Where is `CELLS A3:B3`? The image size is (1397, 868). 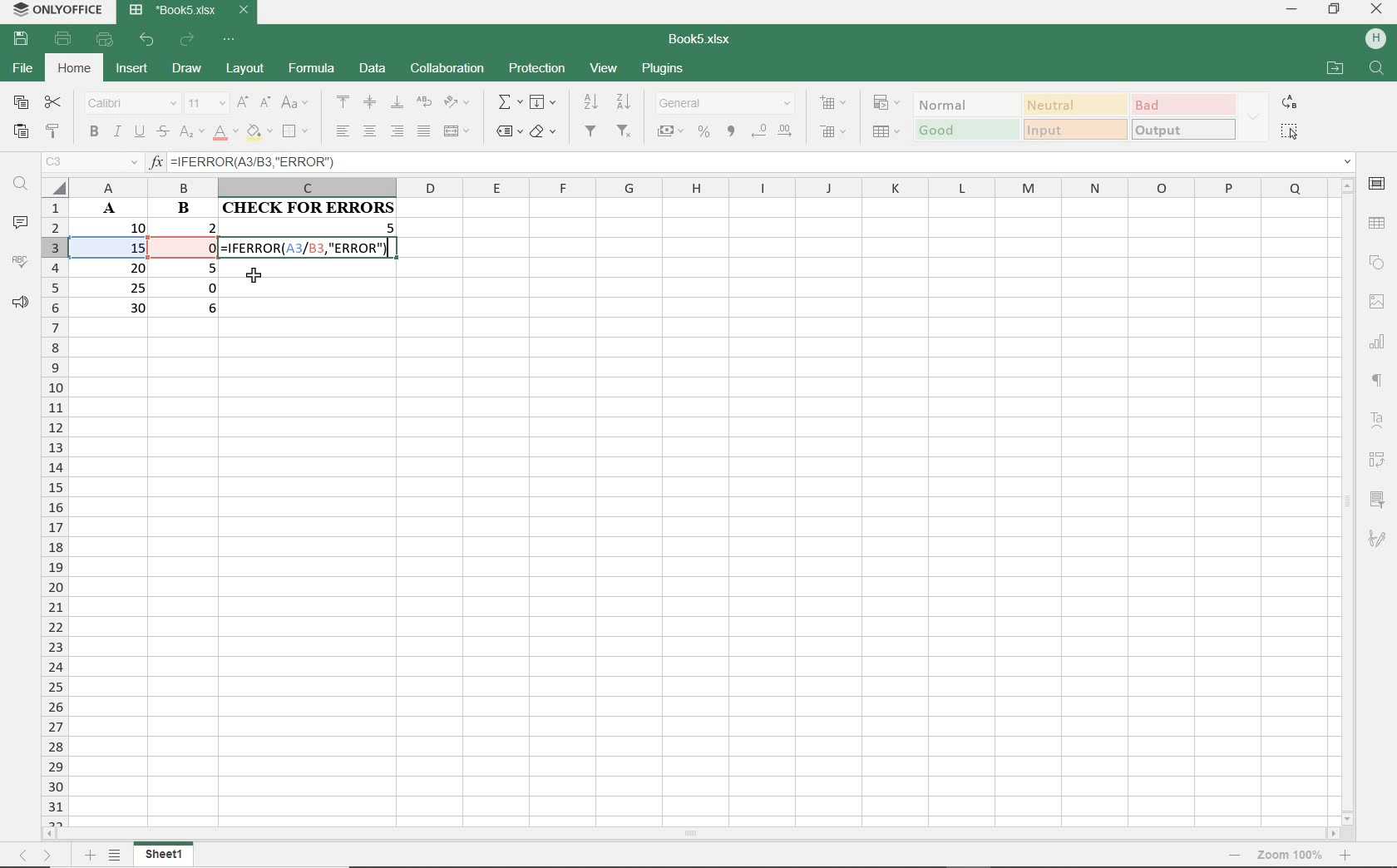
CELLS A3:B3 is located at coordinates (144, 258).